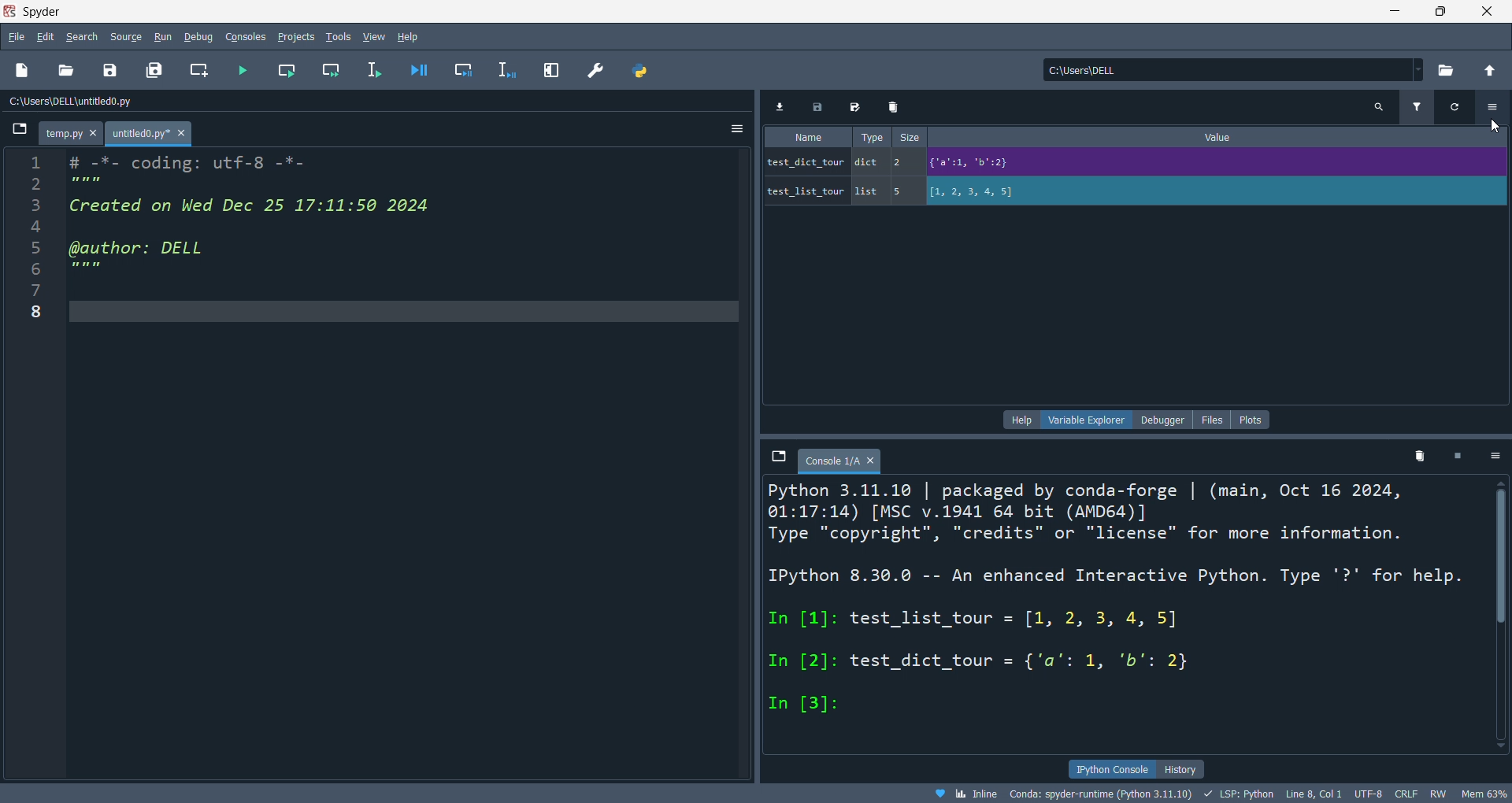  Describe the element at coordinates (1315, 793) in the screenshot. I see `Line8, Col 1` at that location.